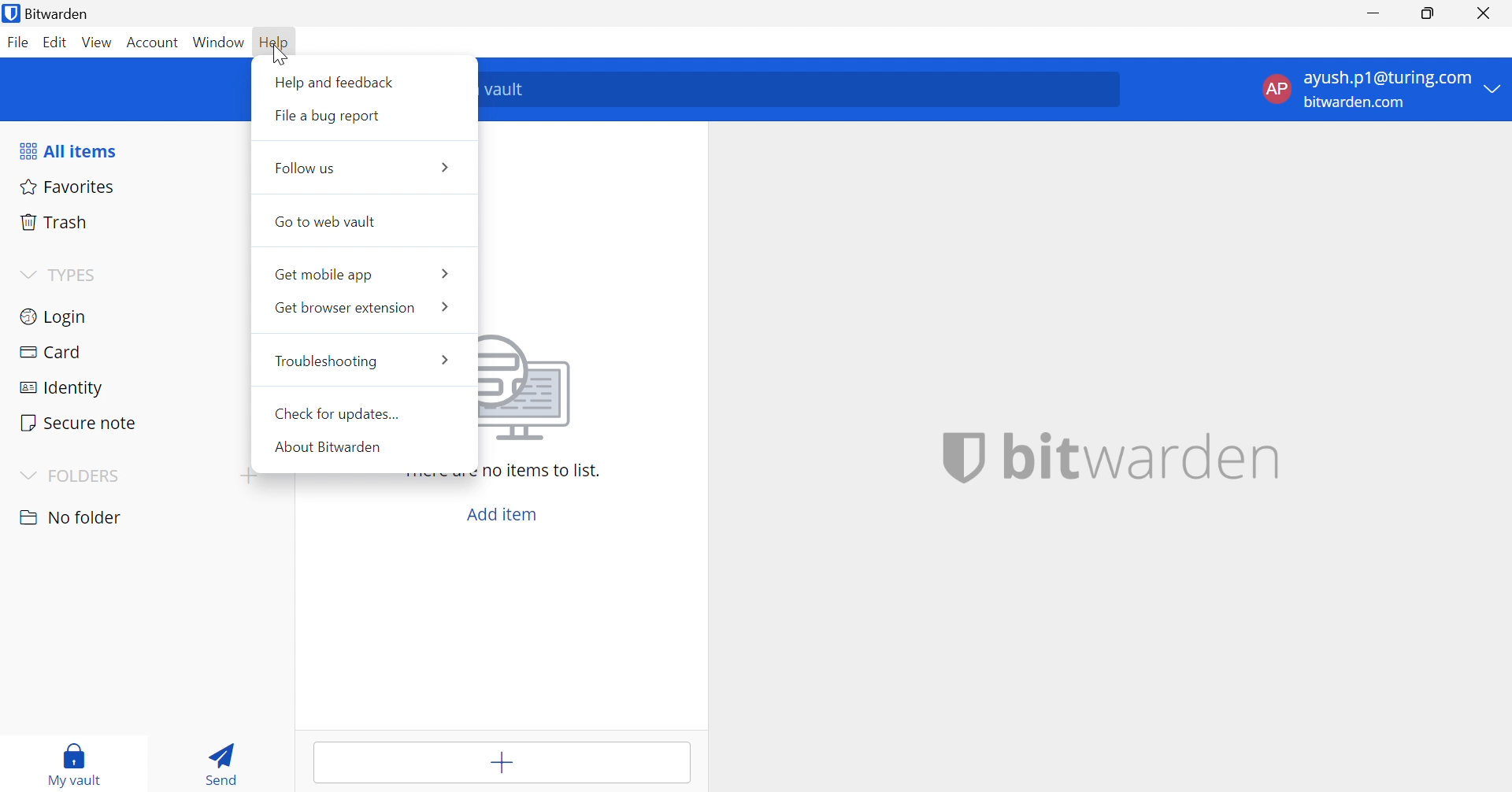 This screenshot has height=792, width=1512. What do you see at coordinates (1377, 89) in the screenshot?
I see `account menu` at bounding box center [1377, 89].